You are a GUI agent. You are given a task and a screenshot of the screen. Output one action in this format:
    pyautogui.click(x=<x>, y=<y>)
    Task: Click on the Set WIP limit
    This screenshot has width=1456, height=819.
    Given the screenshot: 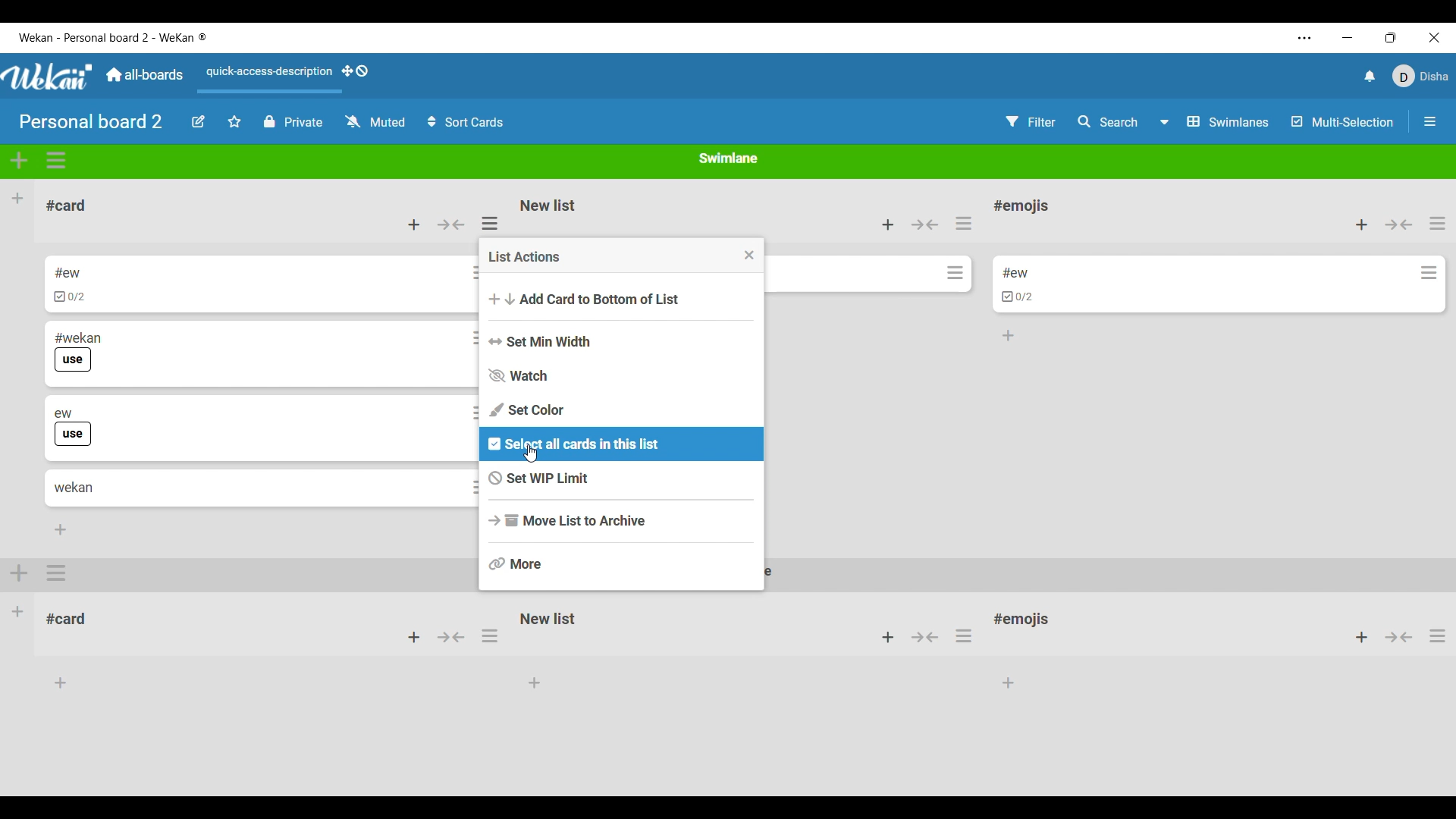 What is the action you would take?
    pyautogui.click(x=623, y=479)
    